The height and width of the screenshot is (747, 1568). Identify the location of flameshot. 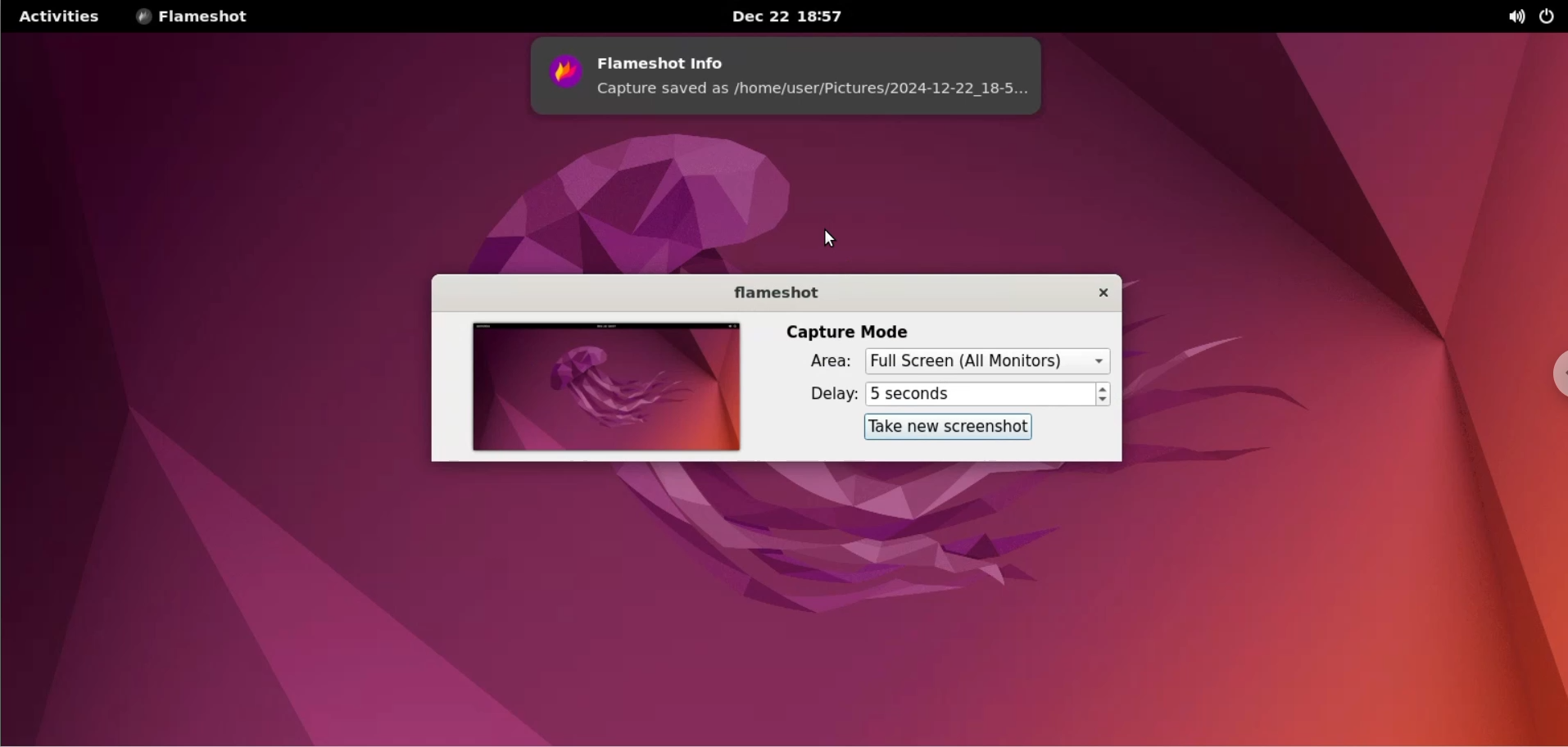
(766, 292).